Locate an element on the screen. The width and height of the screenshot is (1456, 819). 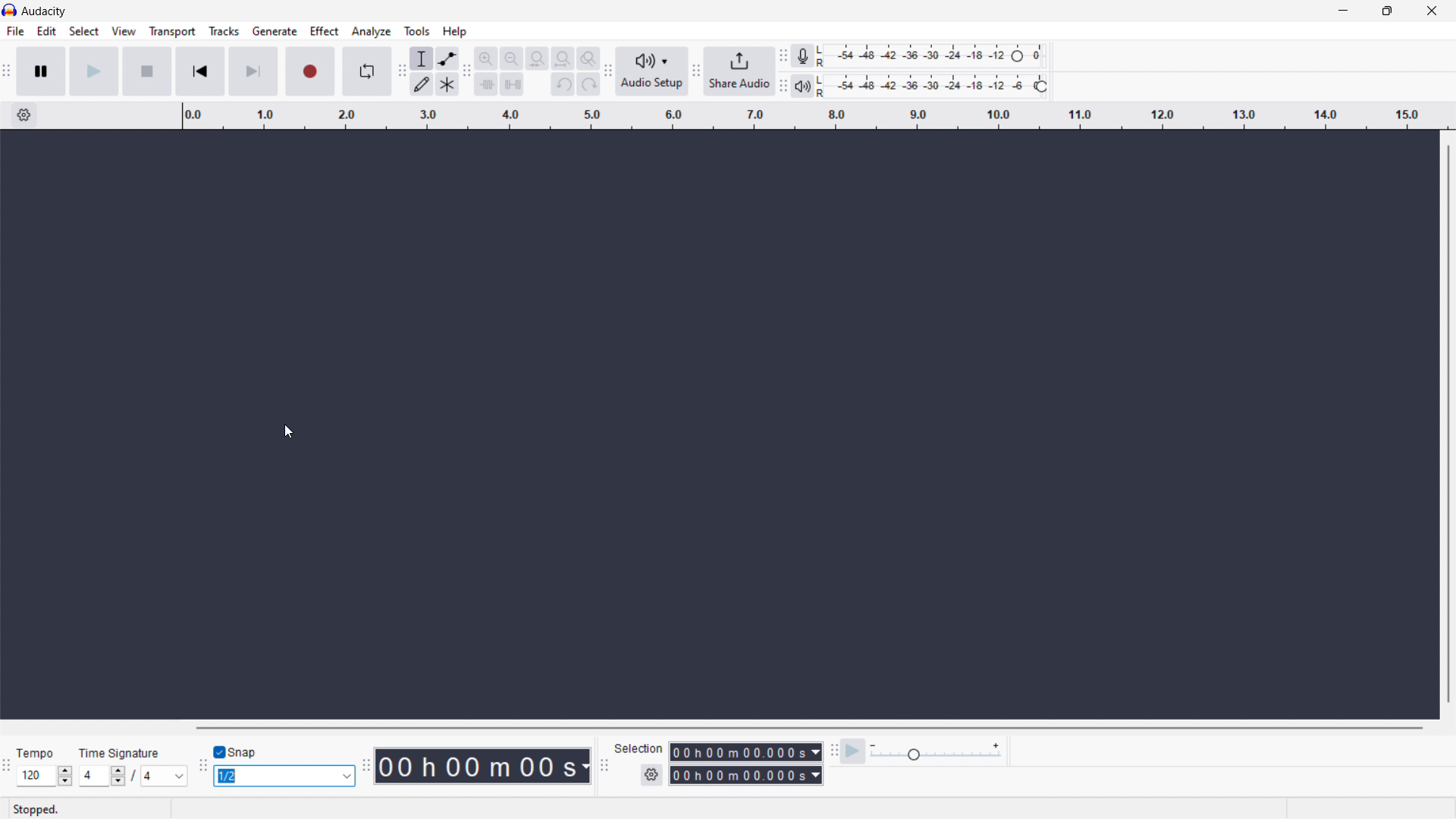
file is located at coordinates (16, 31).